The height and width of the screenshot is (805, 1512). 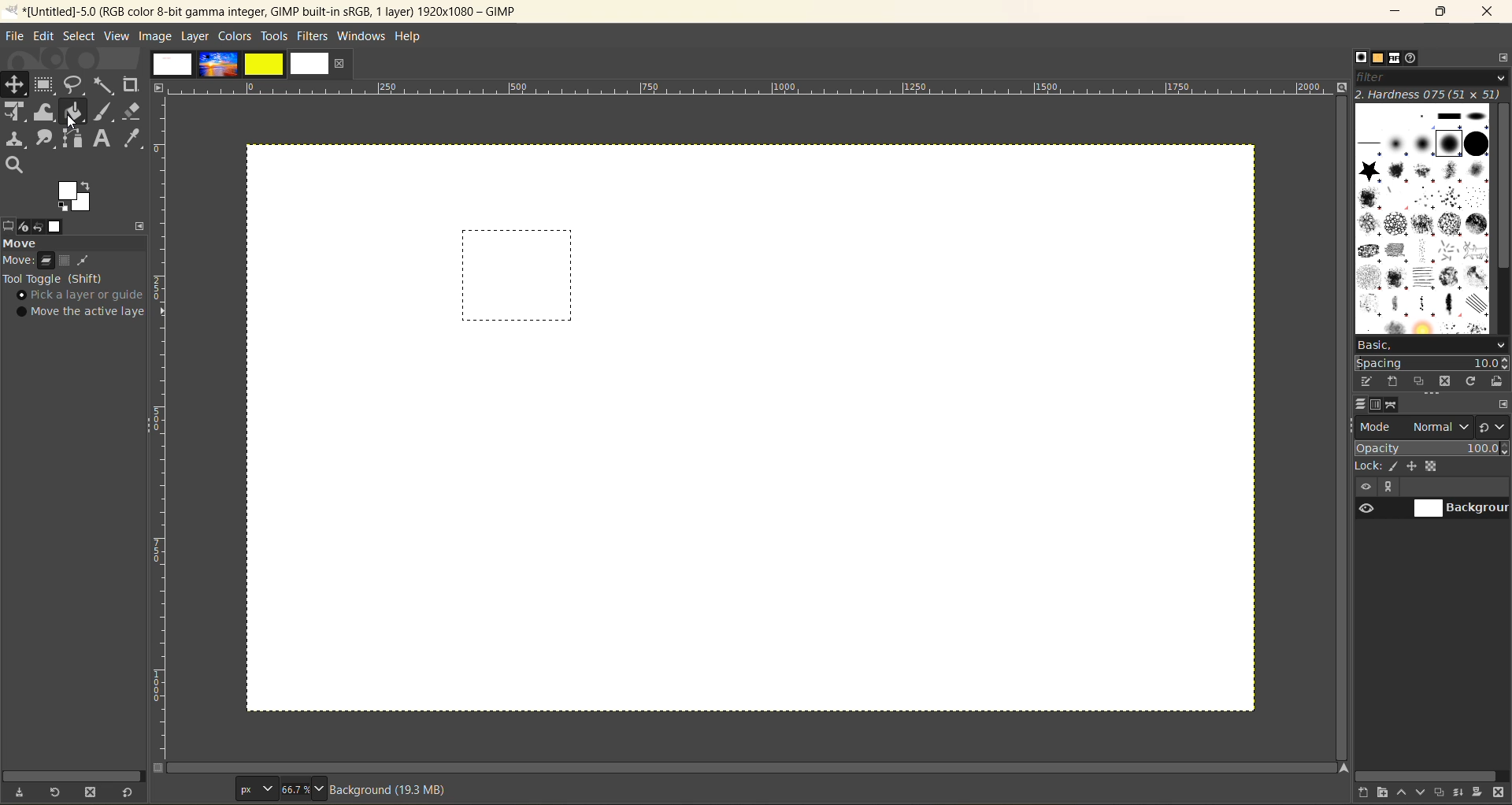 I want to click on create a new layer group, so click(x=1385, y=793).